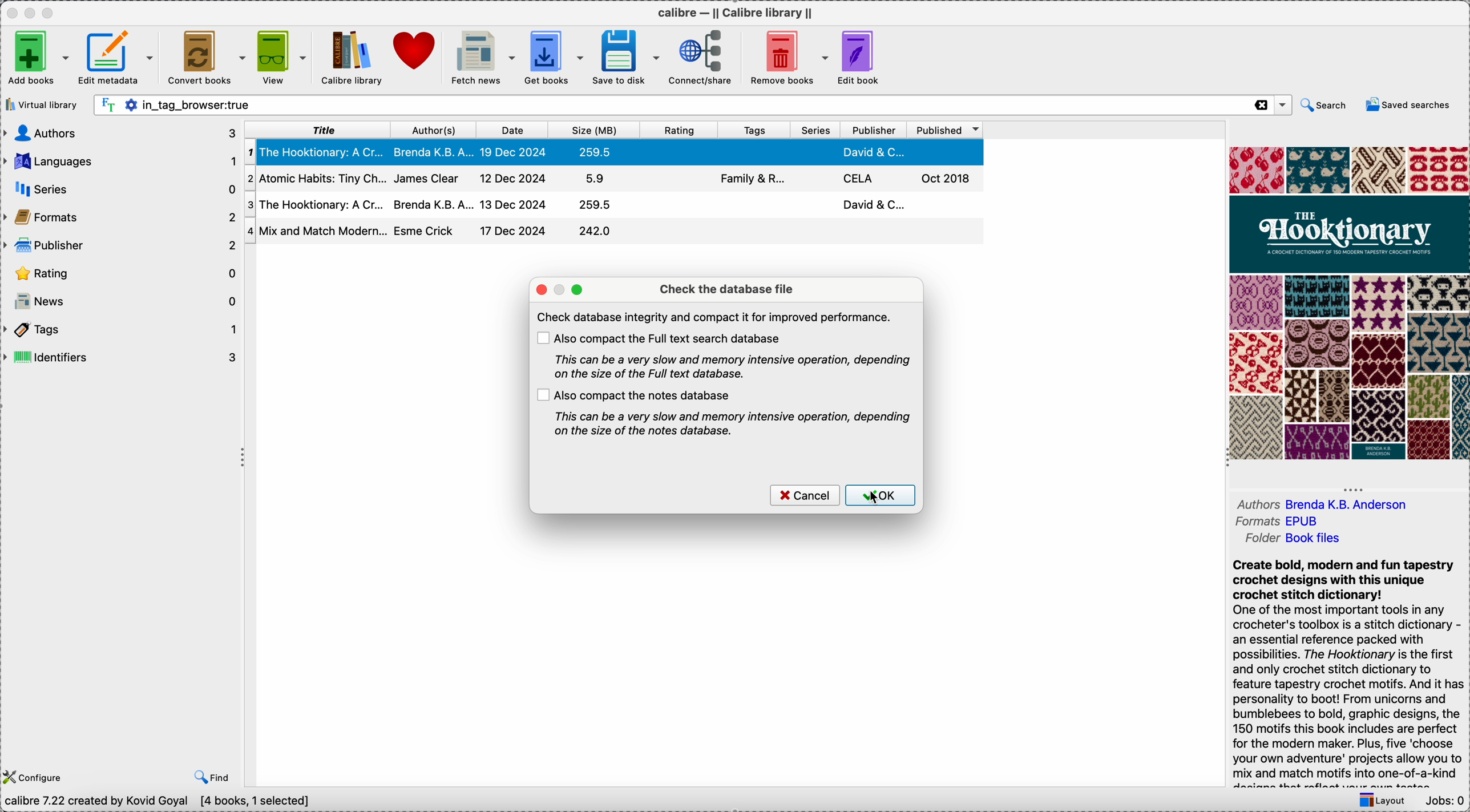 Image resolution: width=1470 pixels, height=812 pixels. Describe the element at coordinates (733, 427) in the screenshot. I see `note` at that location.